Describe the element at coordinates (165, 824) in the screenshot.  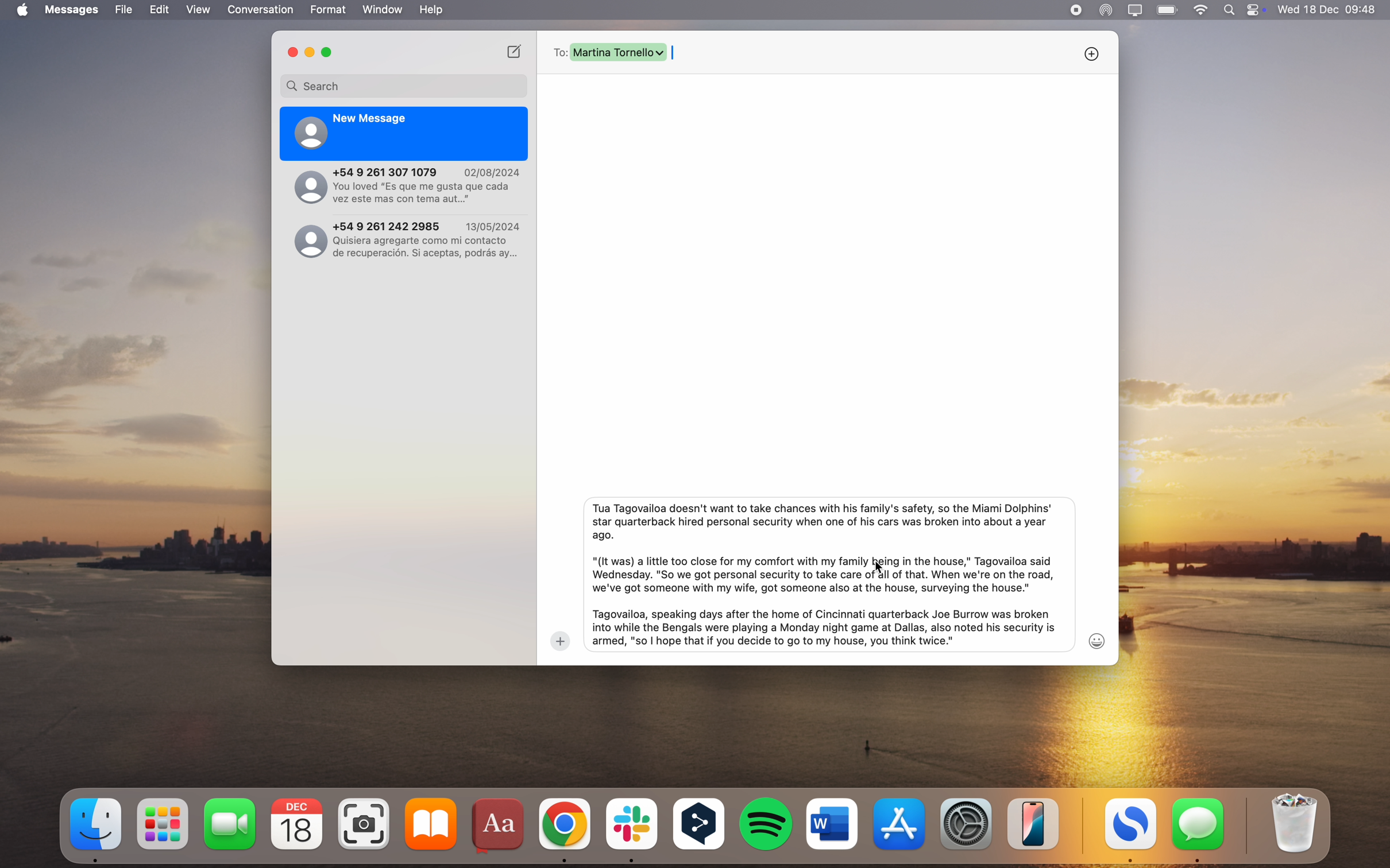
I see `launchpad` at that location.